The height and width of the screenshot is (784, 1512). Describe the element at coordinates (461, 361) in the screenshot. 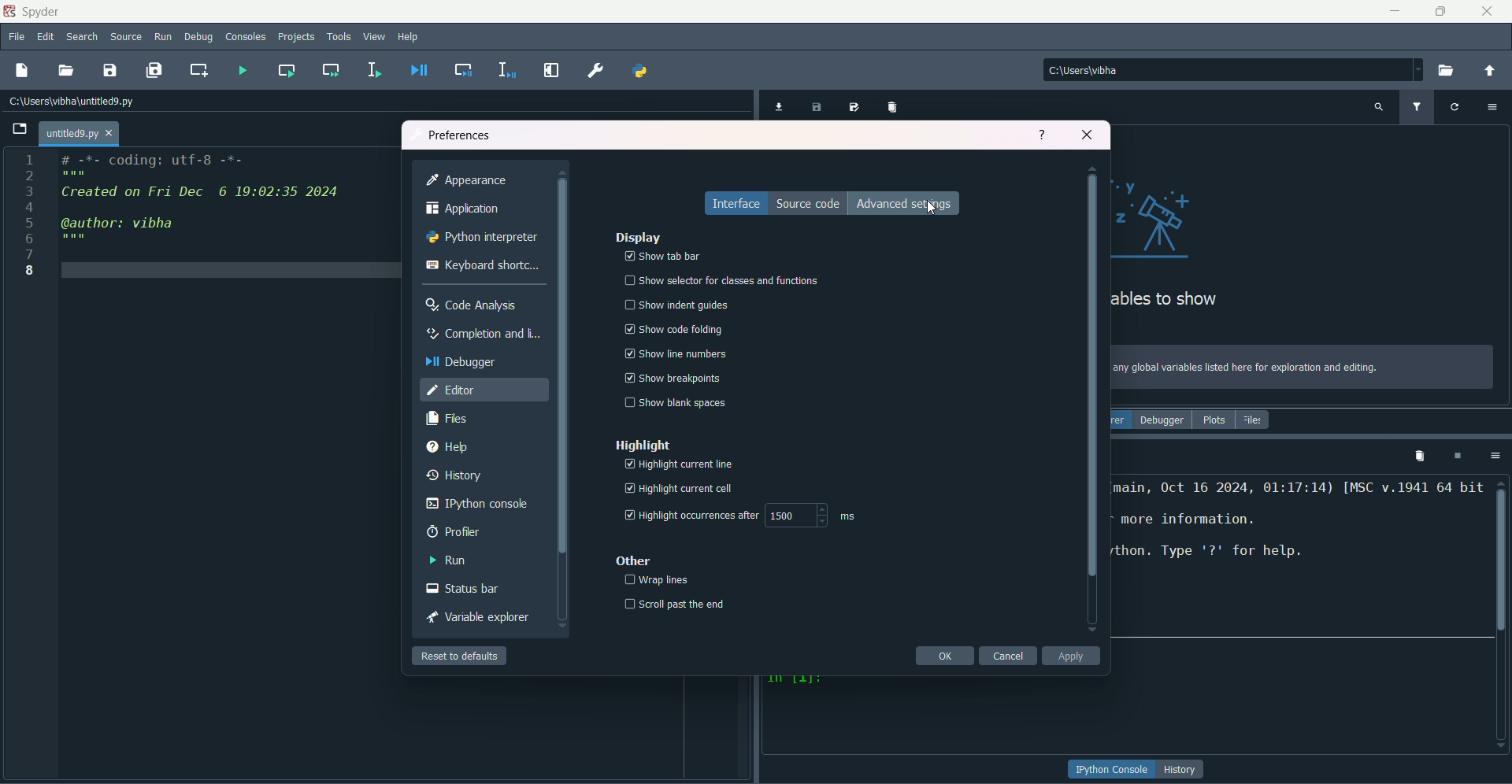

I see `debugger` at that location.